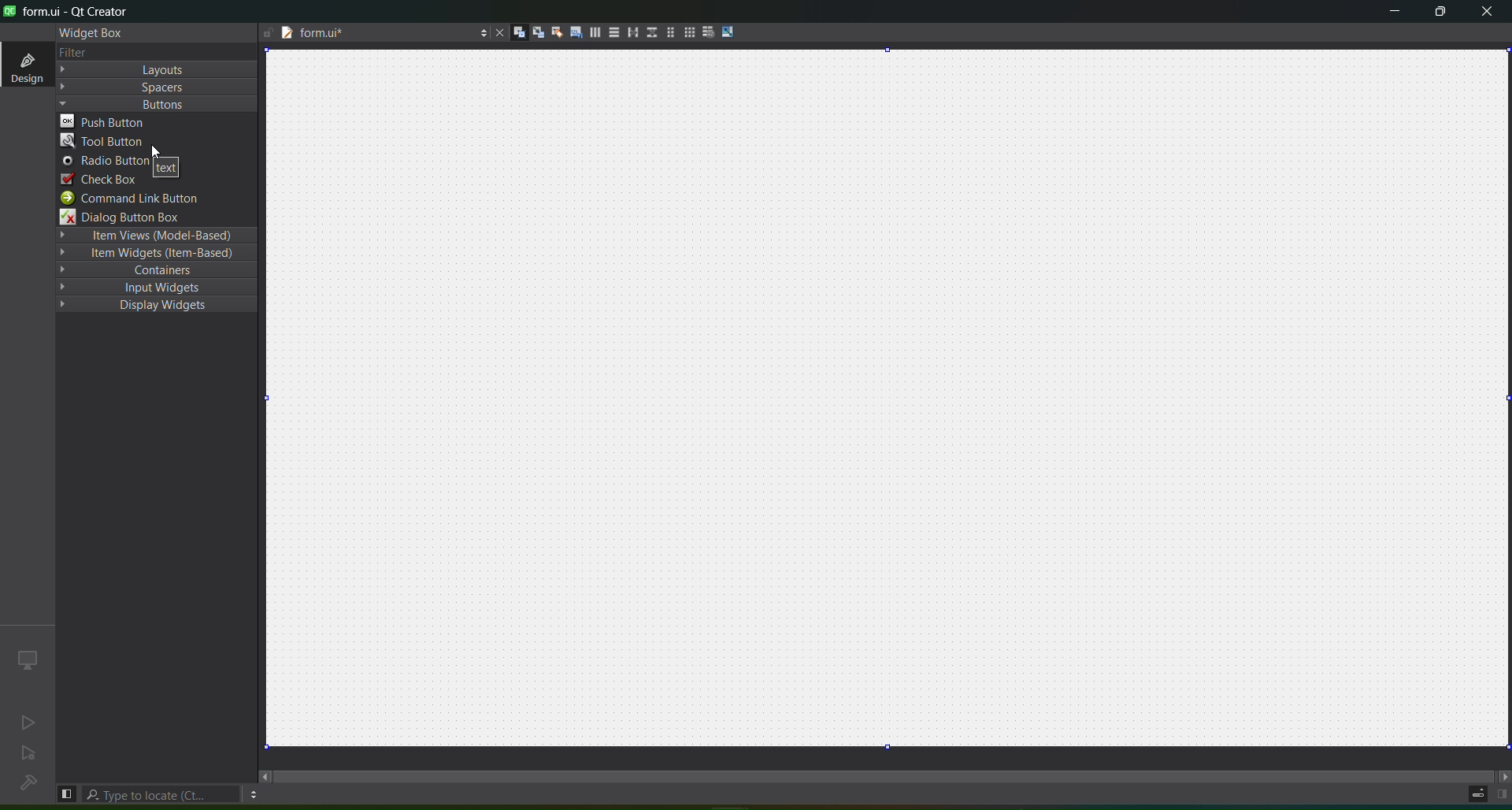 This screenshot has height=810, width=1512. Describe the element at coordinates (152, 150) in the screenshot. I see `cursor` at that location.